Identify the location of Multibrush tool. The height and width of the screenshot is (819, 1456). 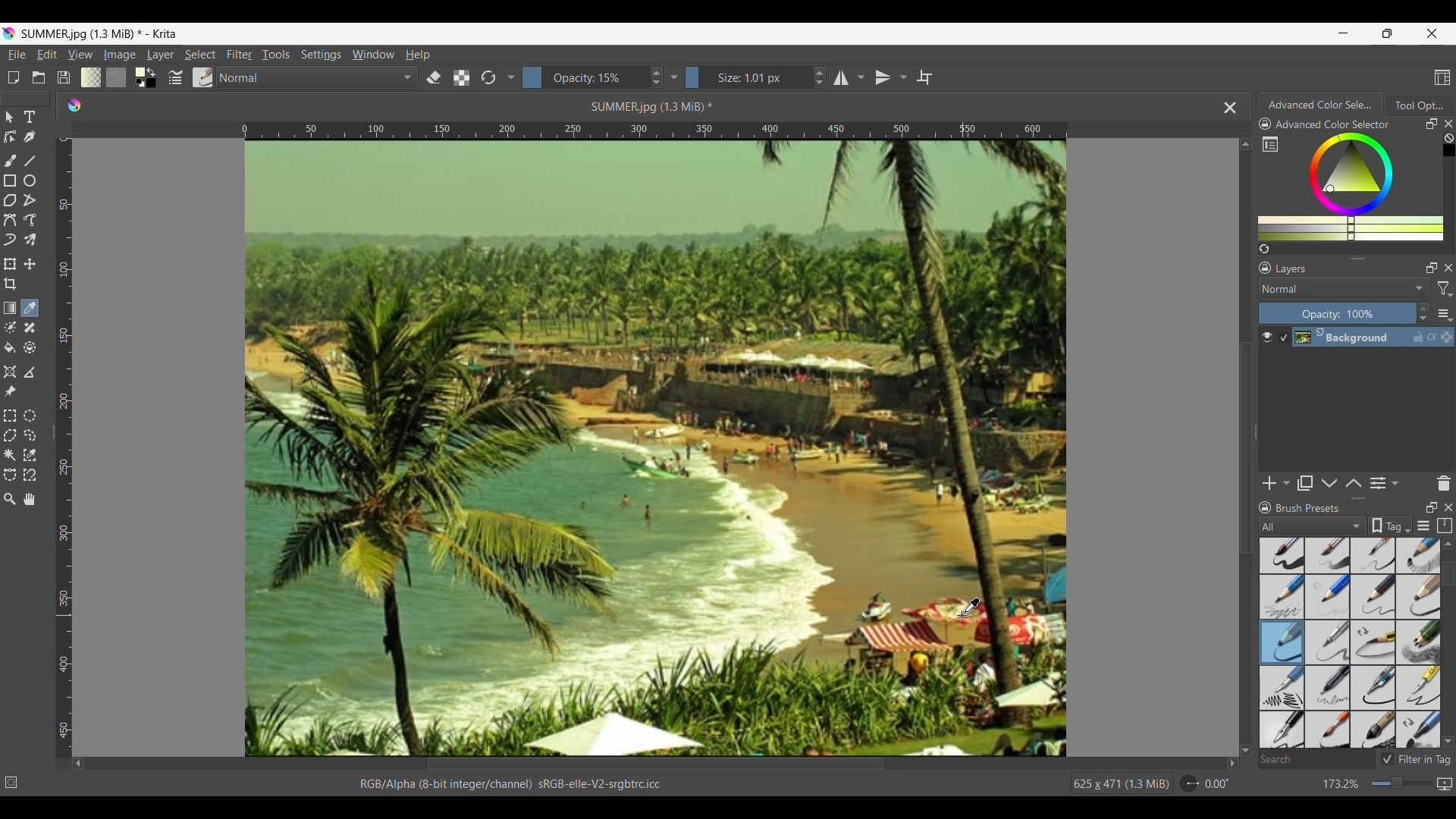
(30, 240).